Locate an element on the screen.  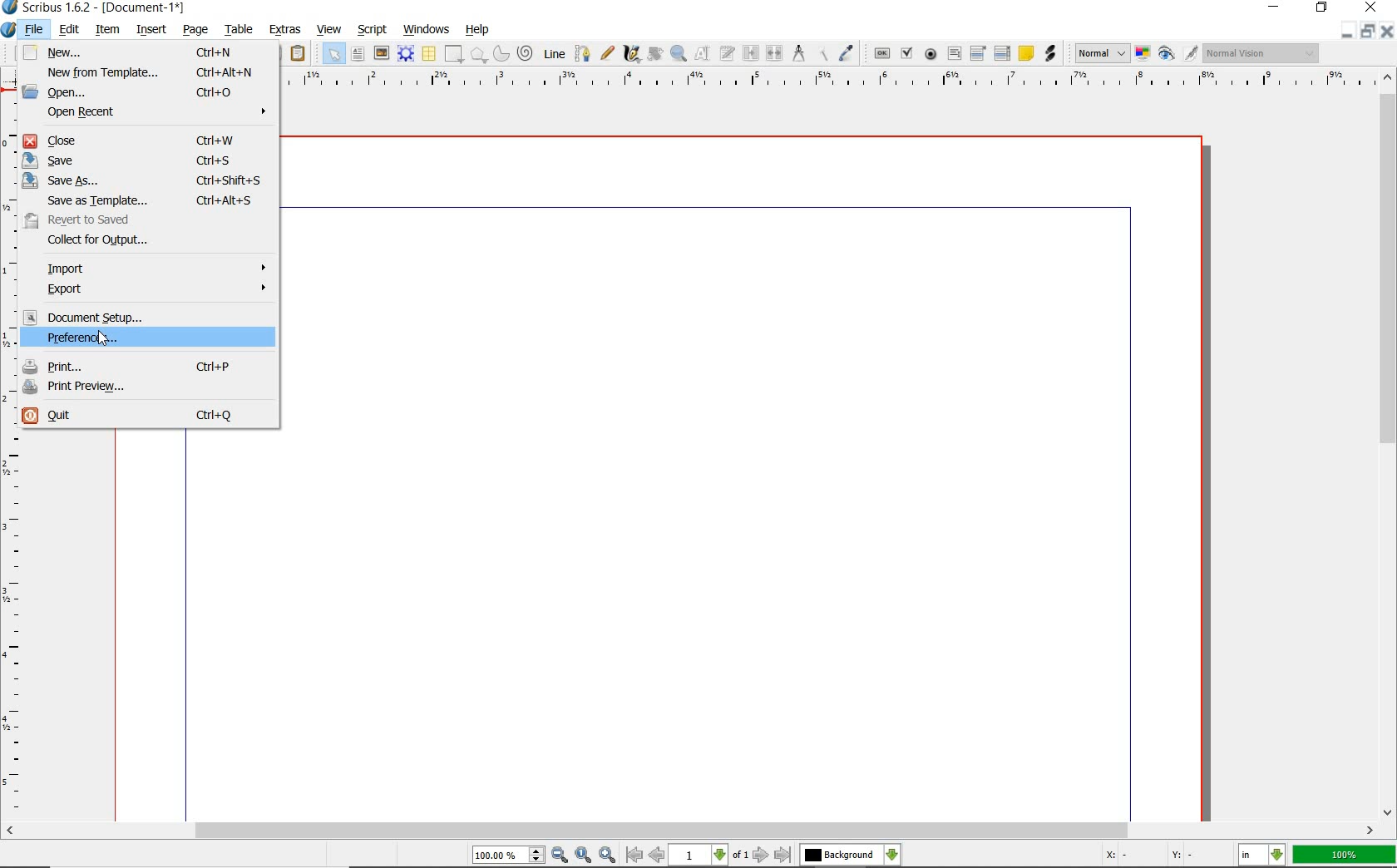
QUIT is located at coordinates (151, 418).